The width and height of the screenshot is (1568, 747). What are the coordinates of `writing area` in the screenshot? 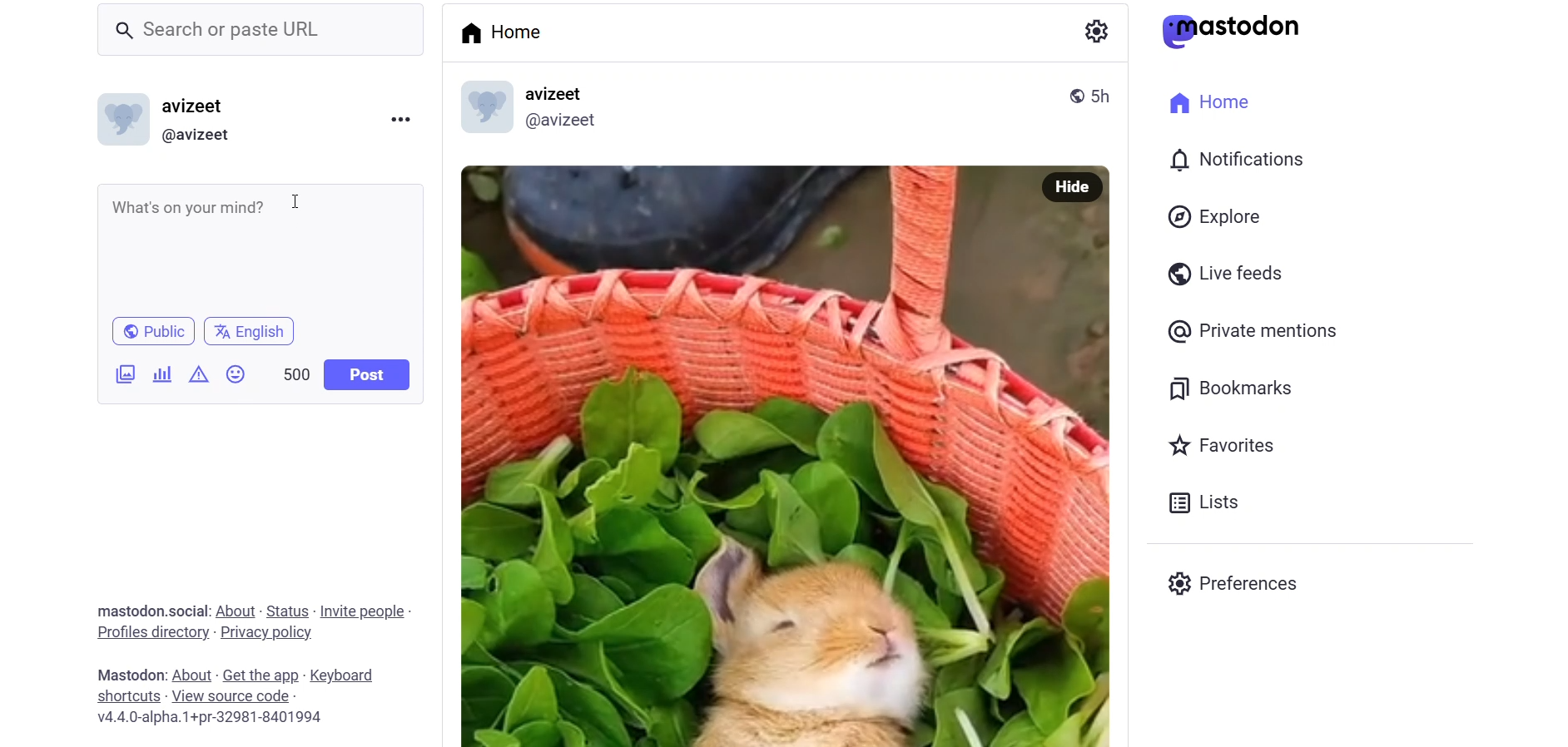 It's located at (264, 245).